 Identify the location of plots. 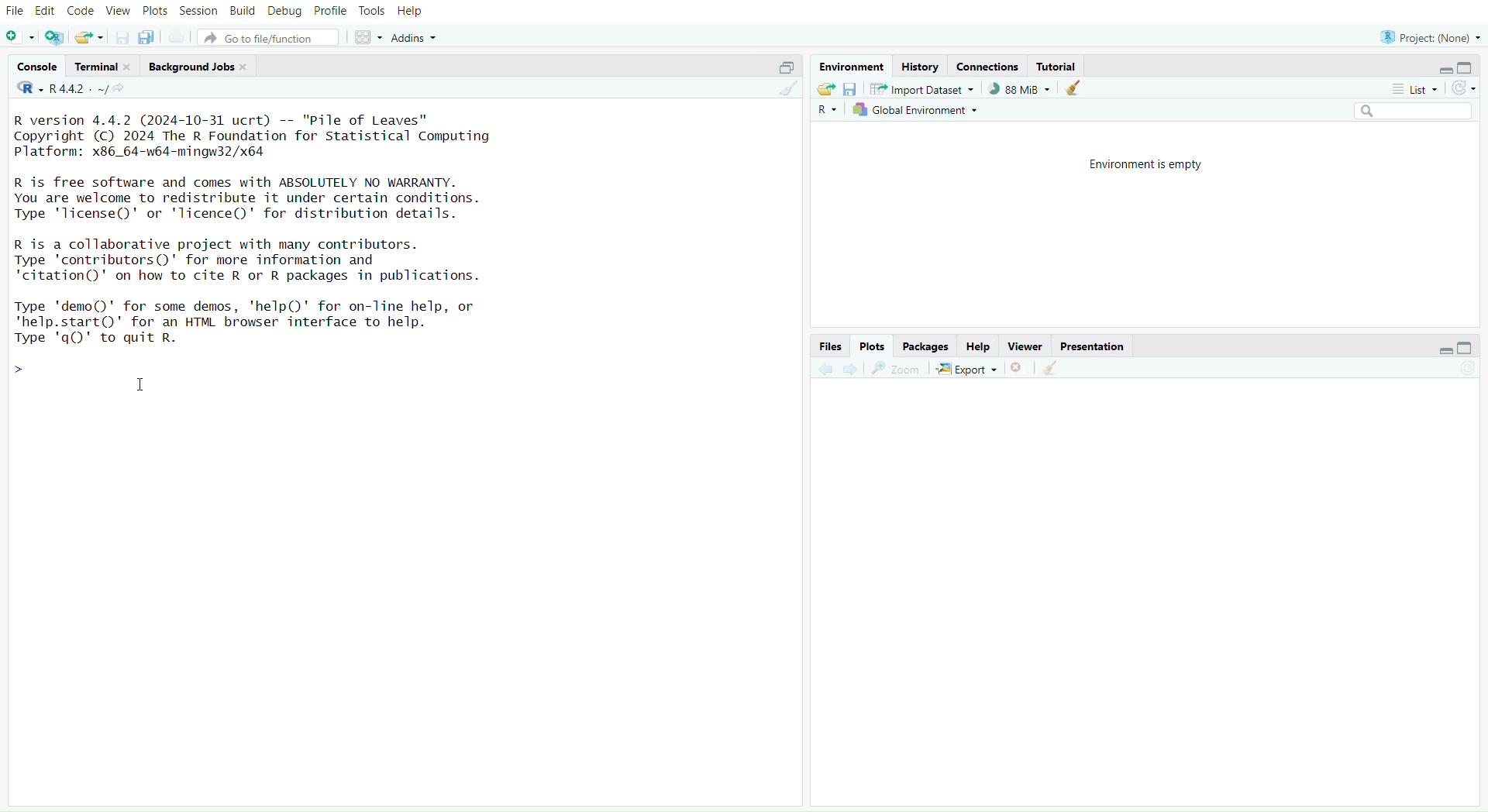
(871, 346).